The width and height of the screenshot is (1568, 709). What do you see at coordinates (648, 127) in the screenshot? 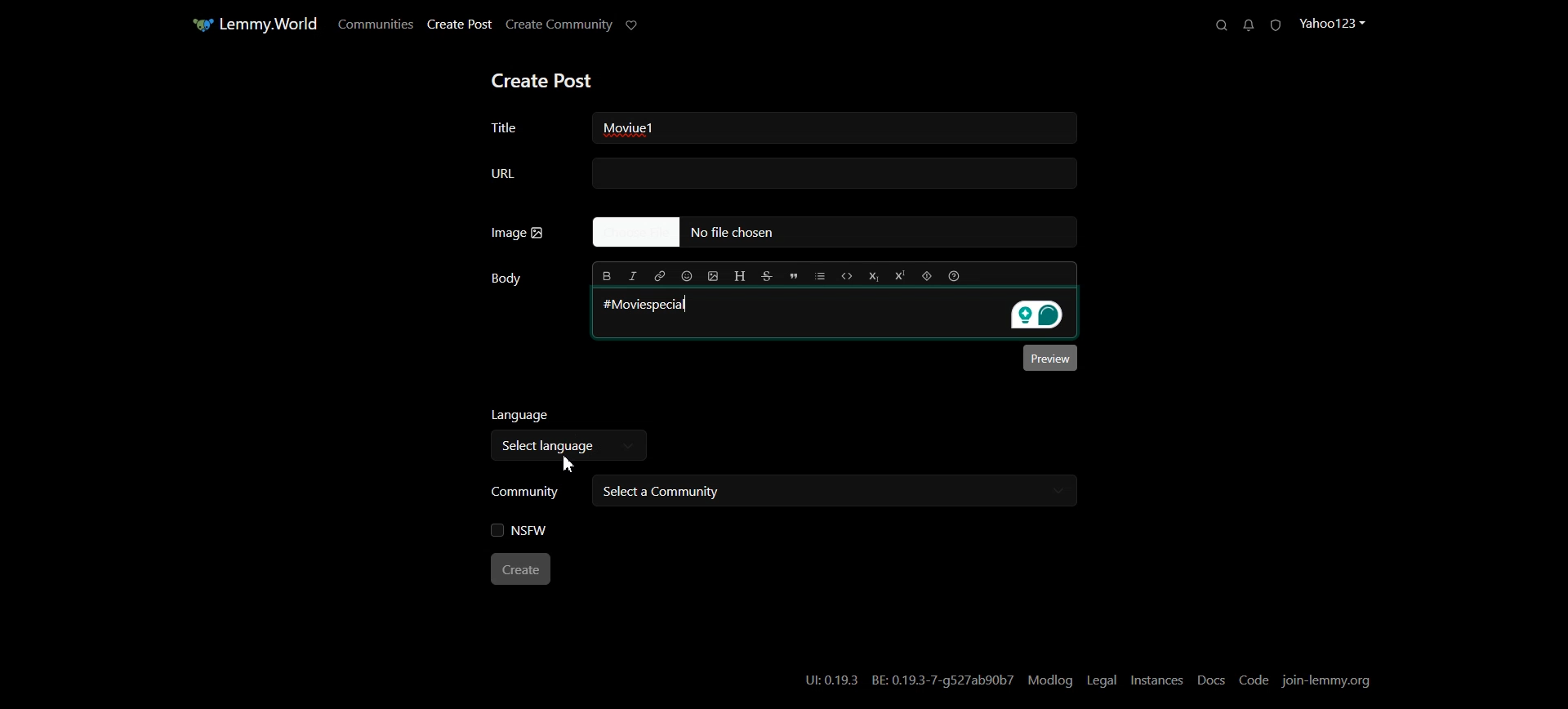
I see `Text` at bounding box center [648, 127].